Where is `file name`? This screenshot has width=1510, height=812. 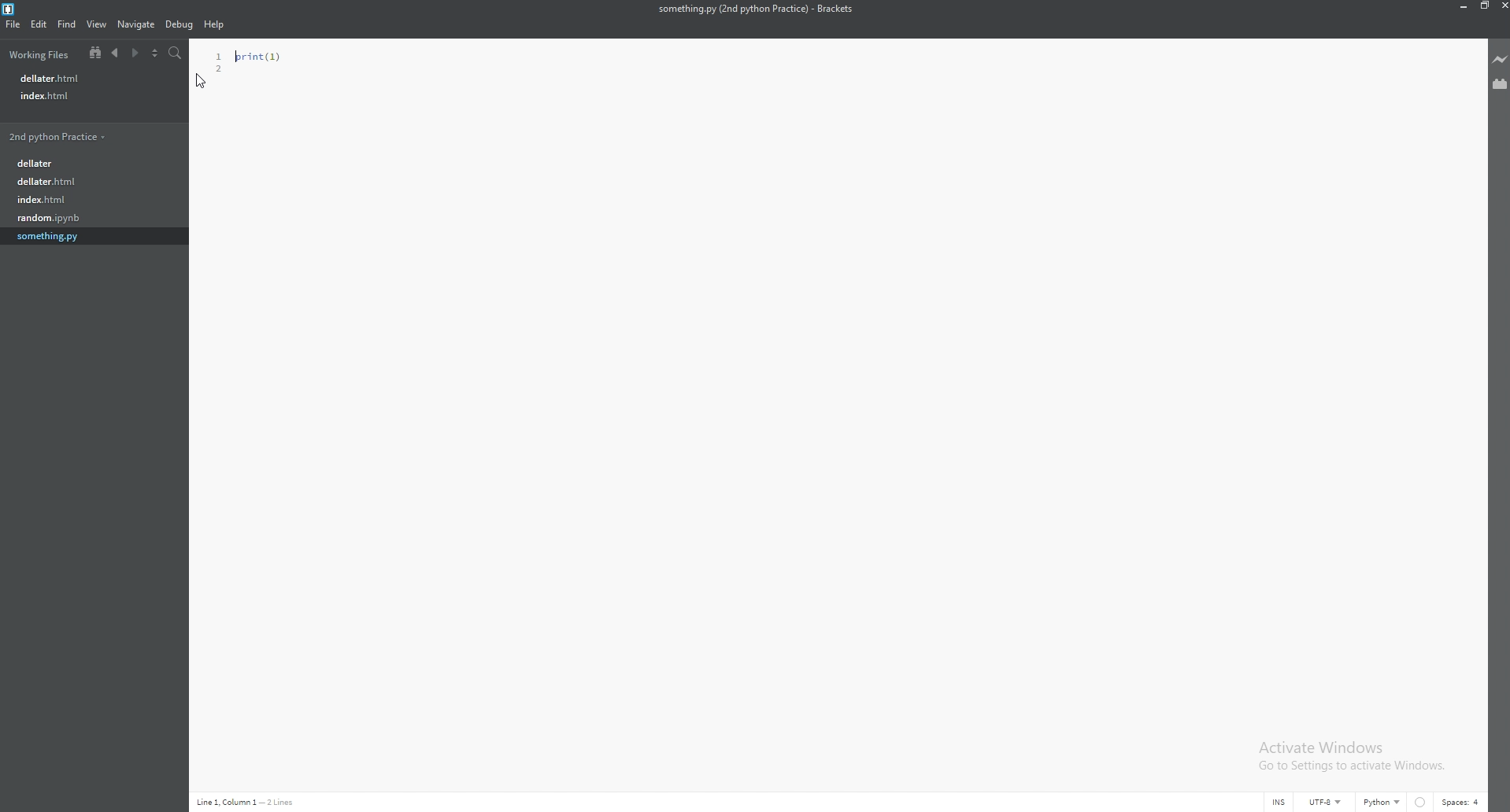 file name is located at coordinates (68, 78).